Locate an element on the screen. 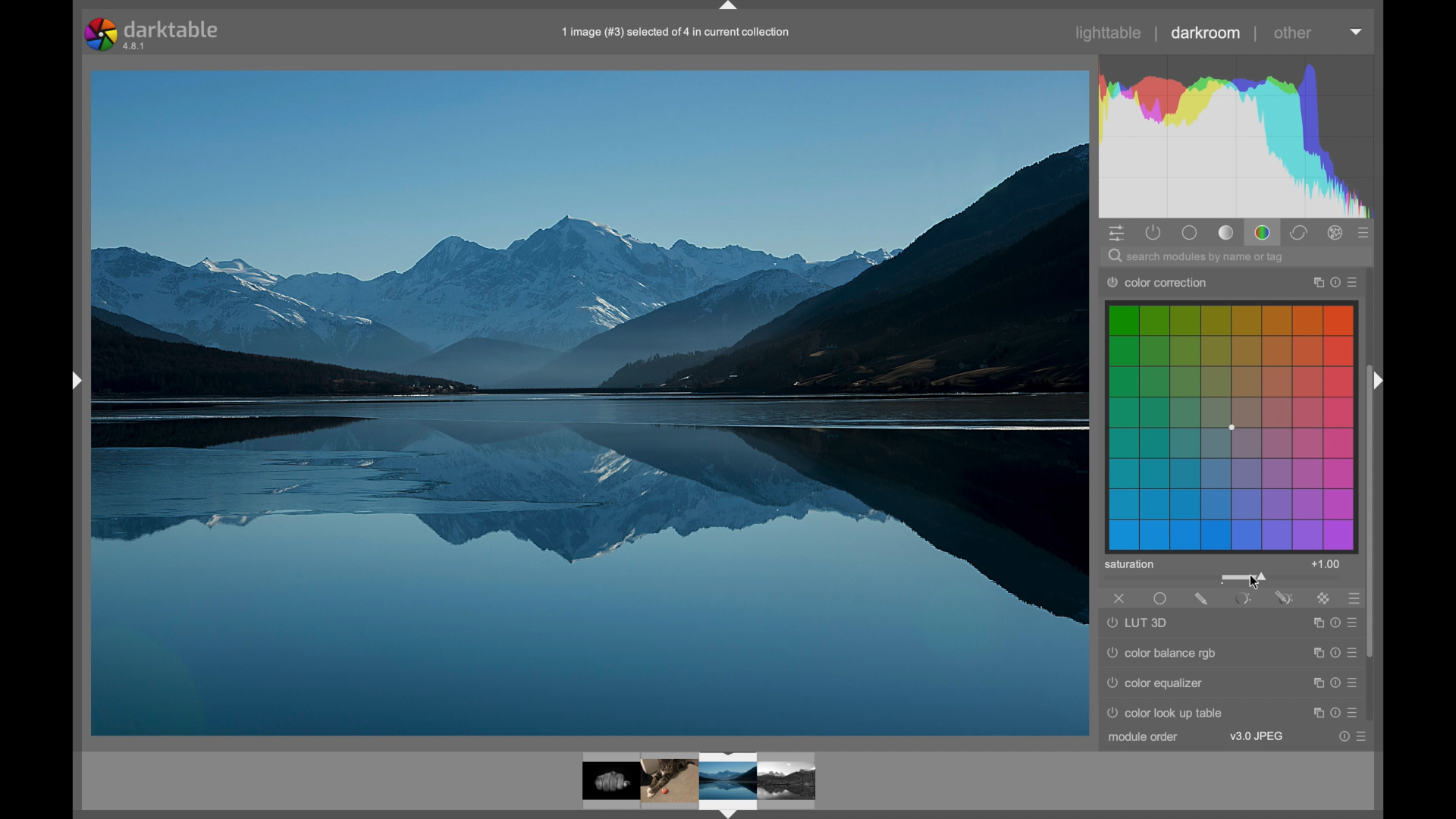 This screenshot has width=1456, height=819. image is located at coordinates (670, 780).